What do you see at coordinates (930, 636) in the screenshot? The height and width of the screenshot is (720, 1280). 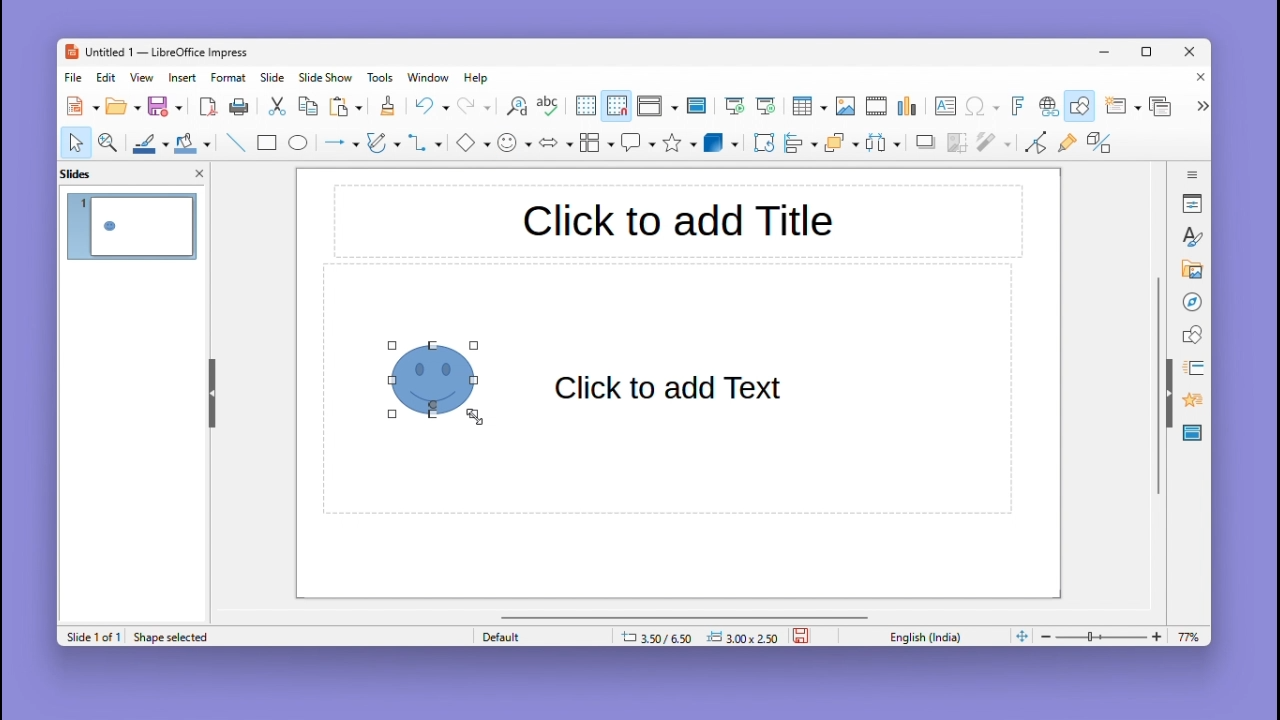 I see `English` at bounding box center [930, 636].